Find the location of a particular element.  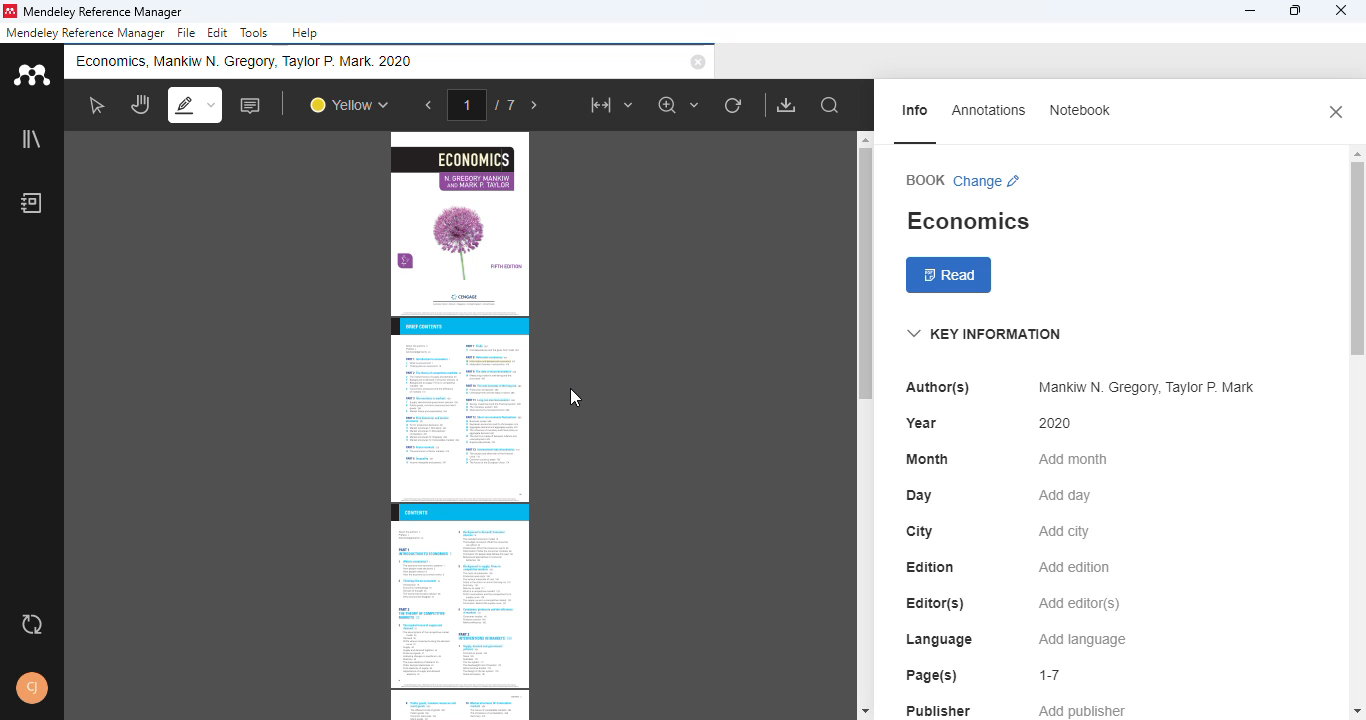

month is located at coordinates (927, 459).